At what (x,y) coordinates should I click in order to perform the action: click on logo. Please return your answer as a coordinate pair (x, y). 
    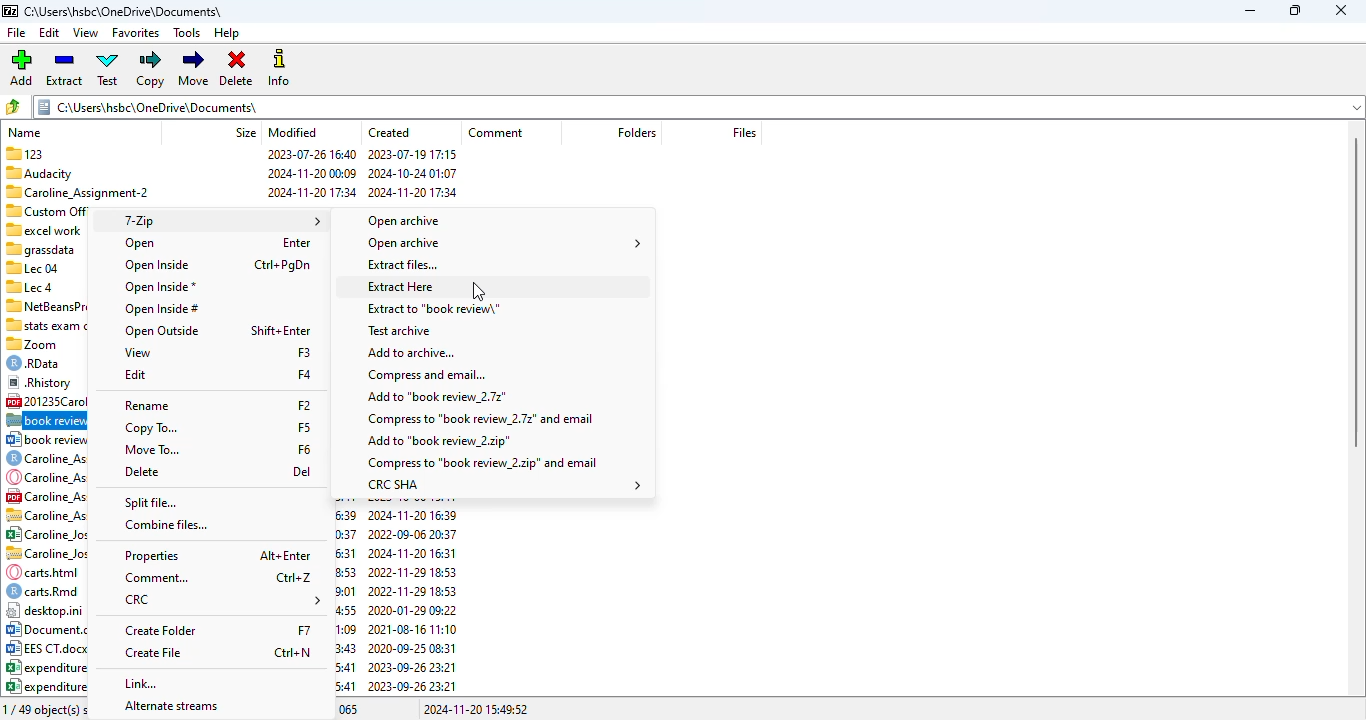
    Looking at the image, I should click on (10, 12).